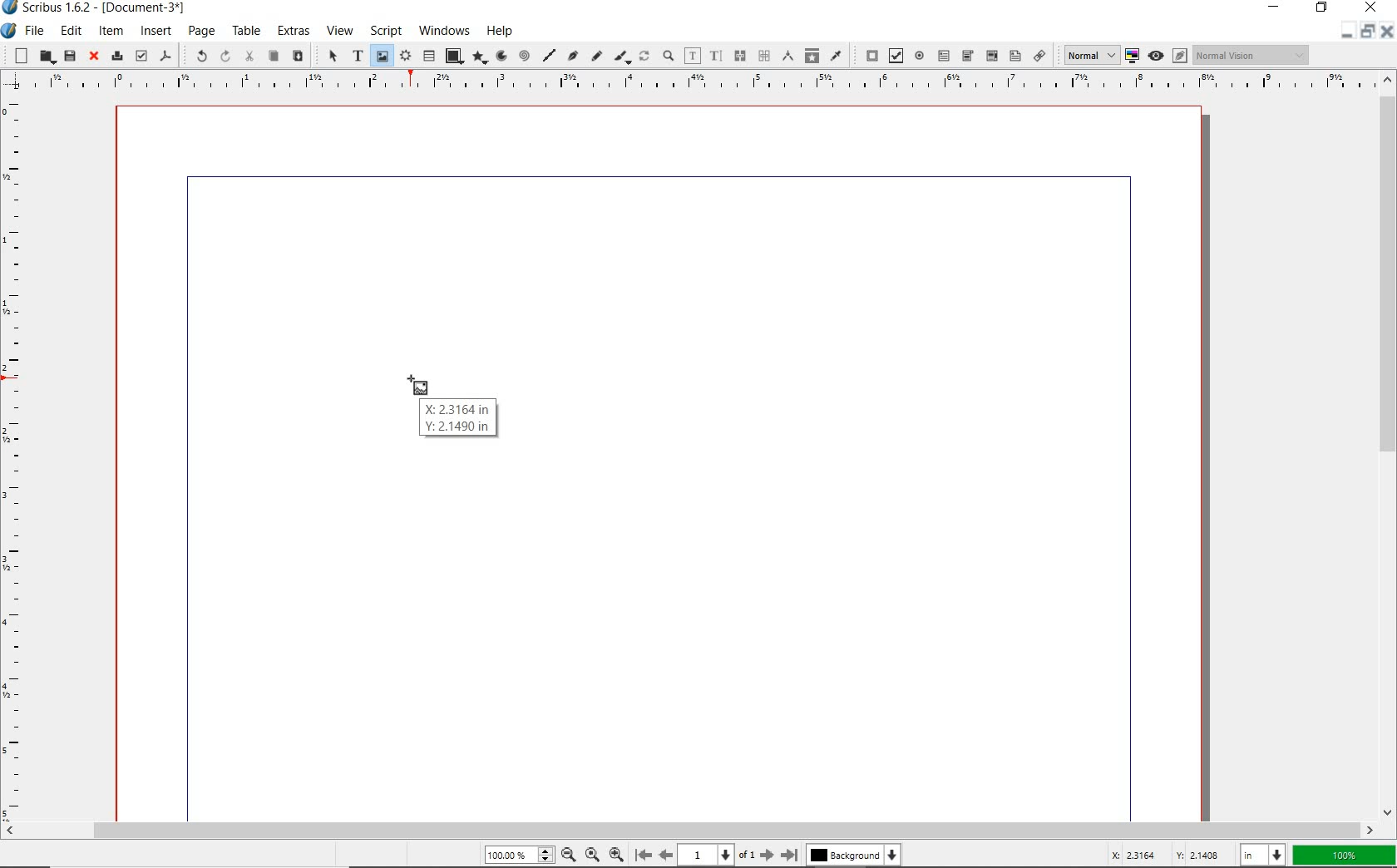  Describe the element at coordinates (1344, 854) in the screenshot. I see `zoom factor` at that location.